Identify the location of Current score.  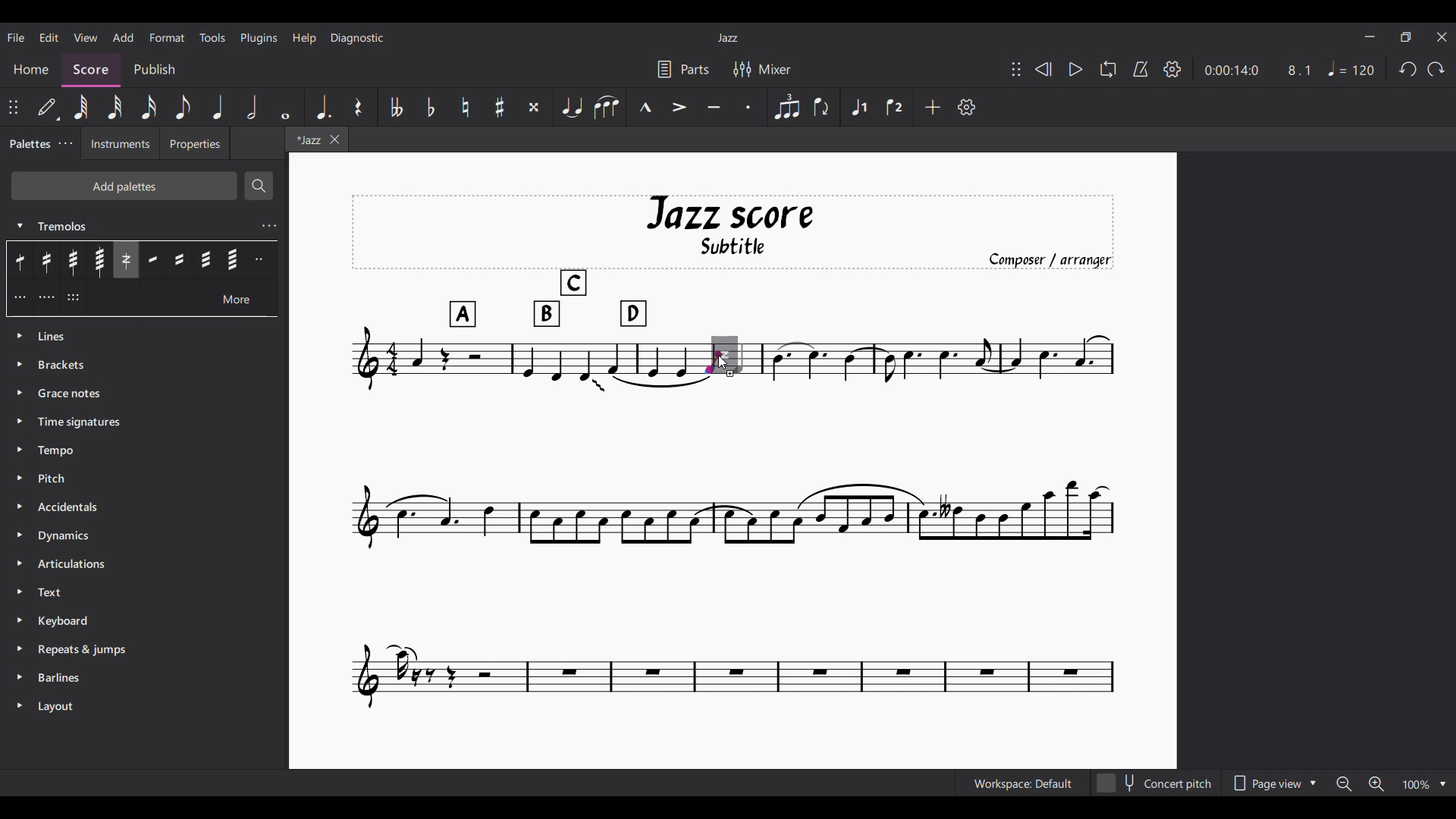
(526, 357).